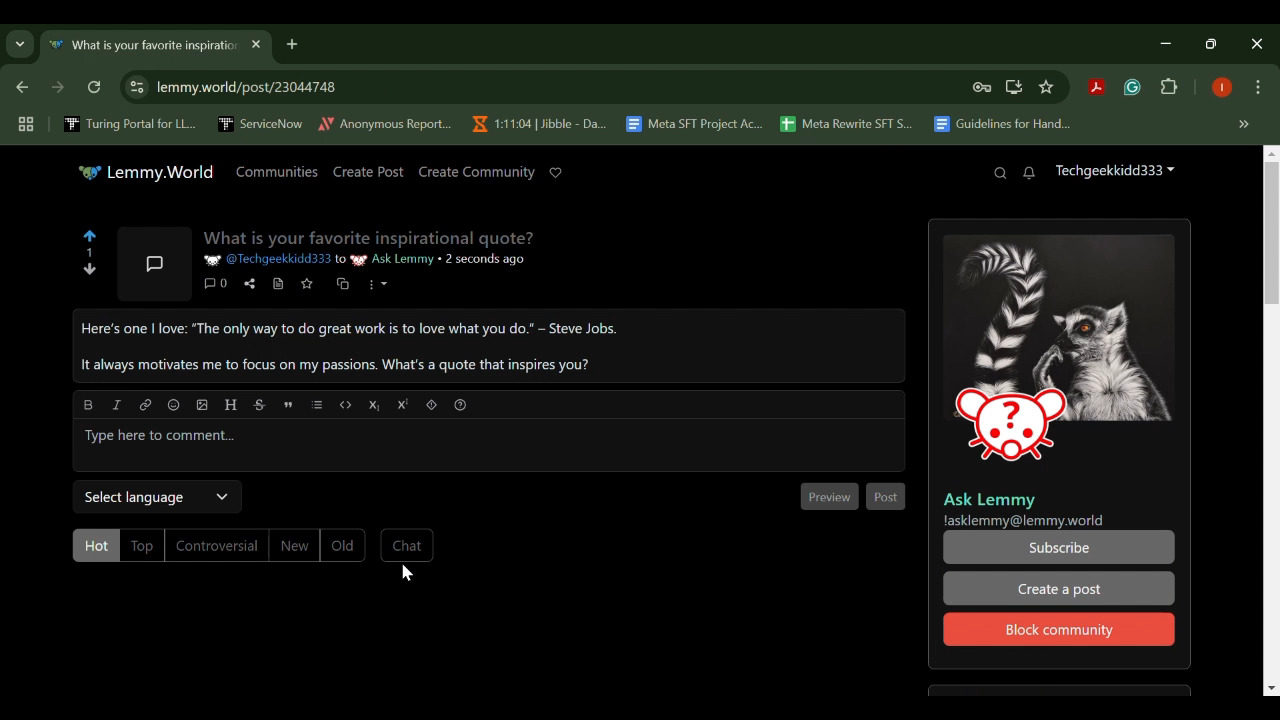 The image size is (1280, 720). What do you see at coordinates (158, 497) in the screenshot?
I see `Select Language ` at bounding box center [158, 497].